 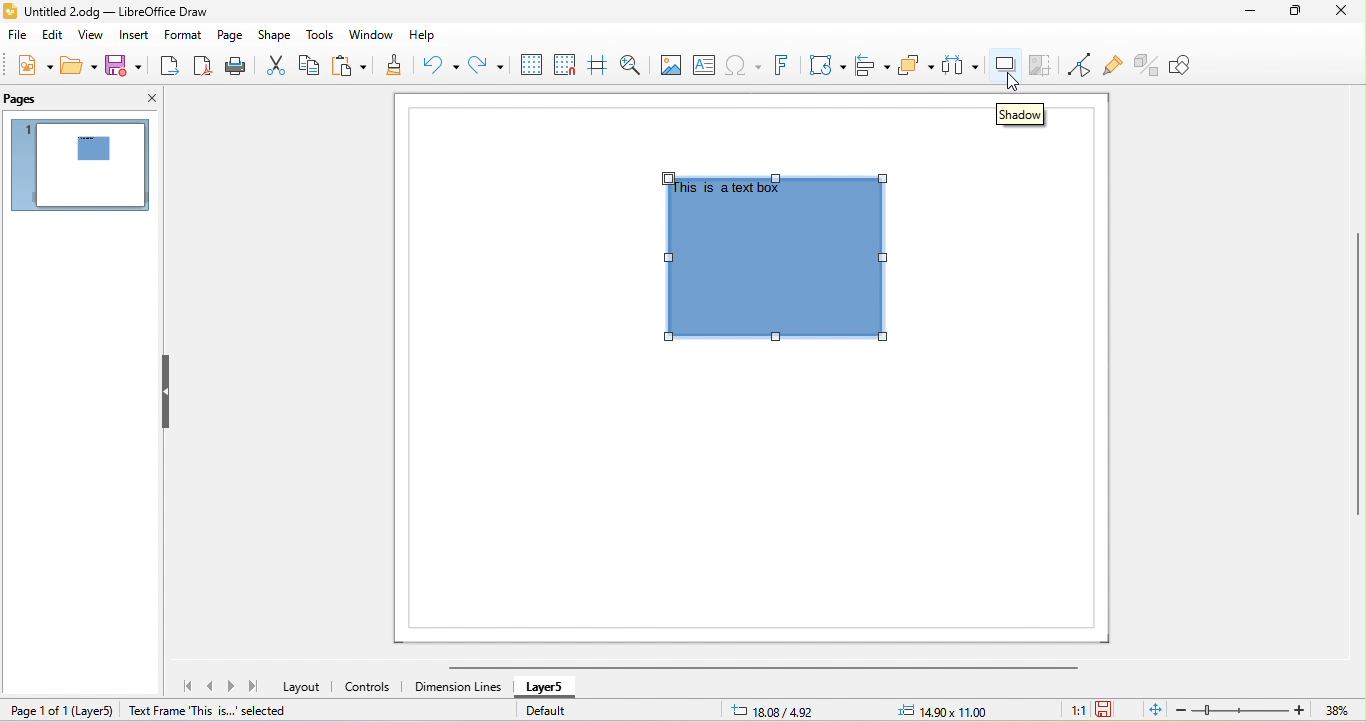 What do you see at coordinates (548, 689) in the screenshot?
I see `layer5` at bounding box center [548, 689].